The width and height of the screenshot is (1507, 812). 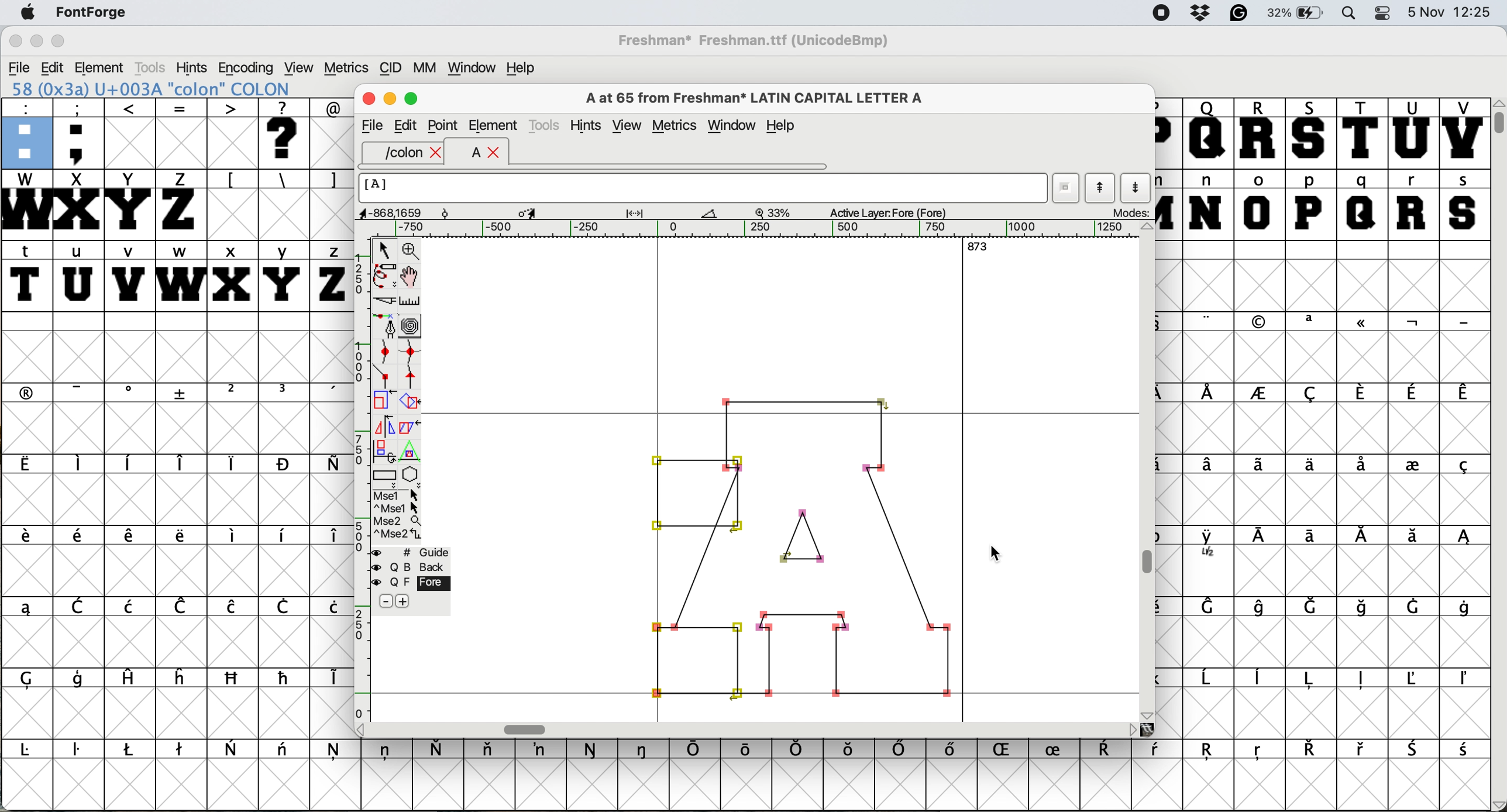 What do you see at coordinates (527, 68) in the screenshot?
I see `help` at bounding box center [527, 68].